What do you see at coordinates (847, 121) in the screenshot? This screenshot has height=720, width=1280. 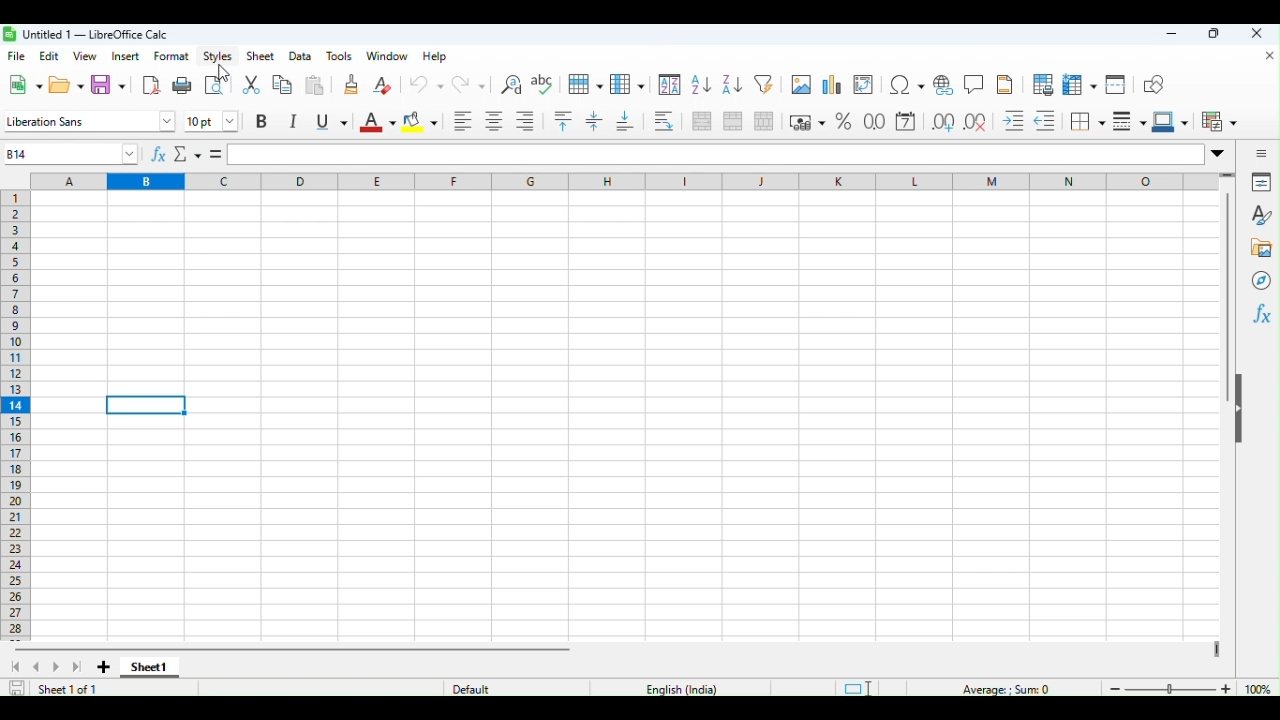 I see `Format as percentage` at bounding box center [847, 121].